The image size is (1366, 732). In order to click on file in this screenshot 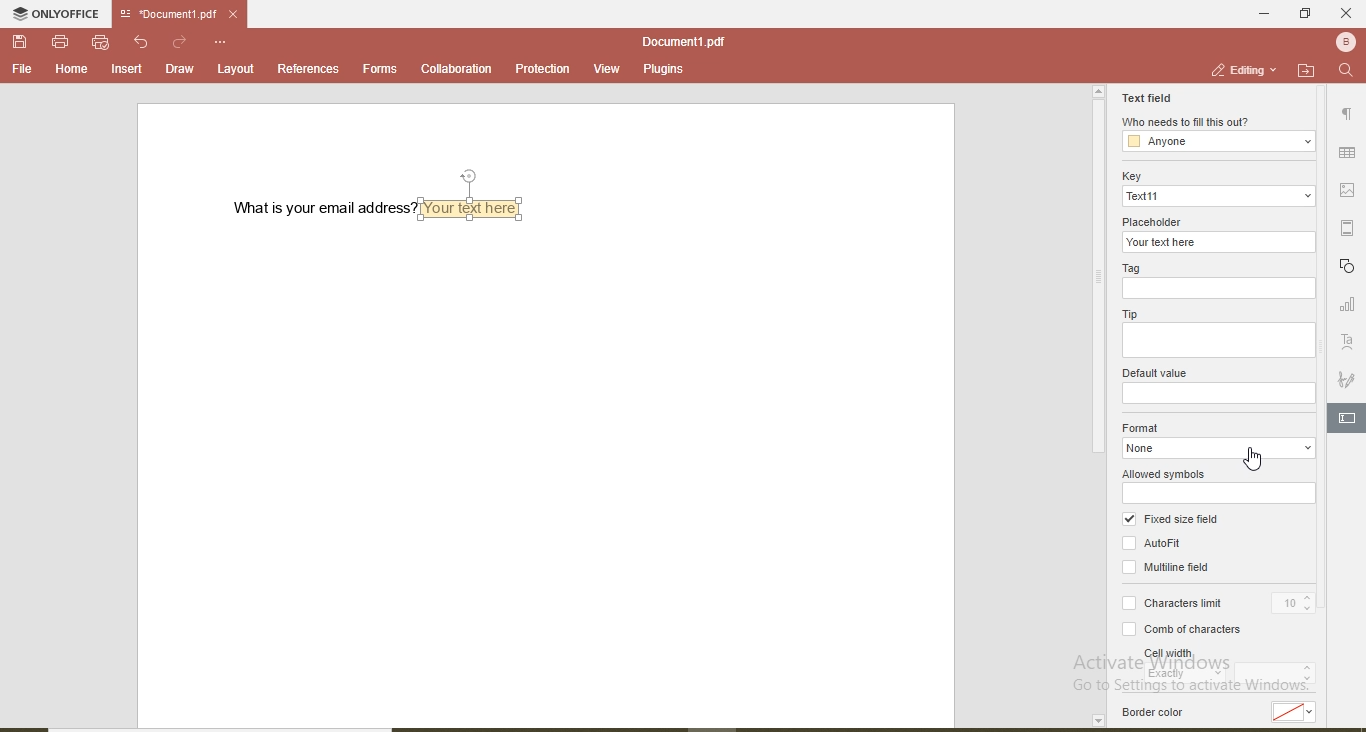, I will do `click(22, 69)`.